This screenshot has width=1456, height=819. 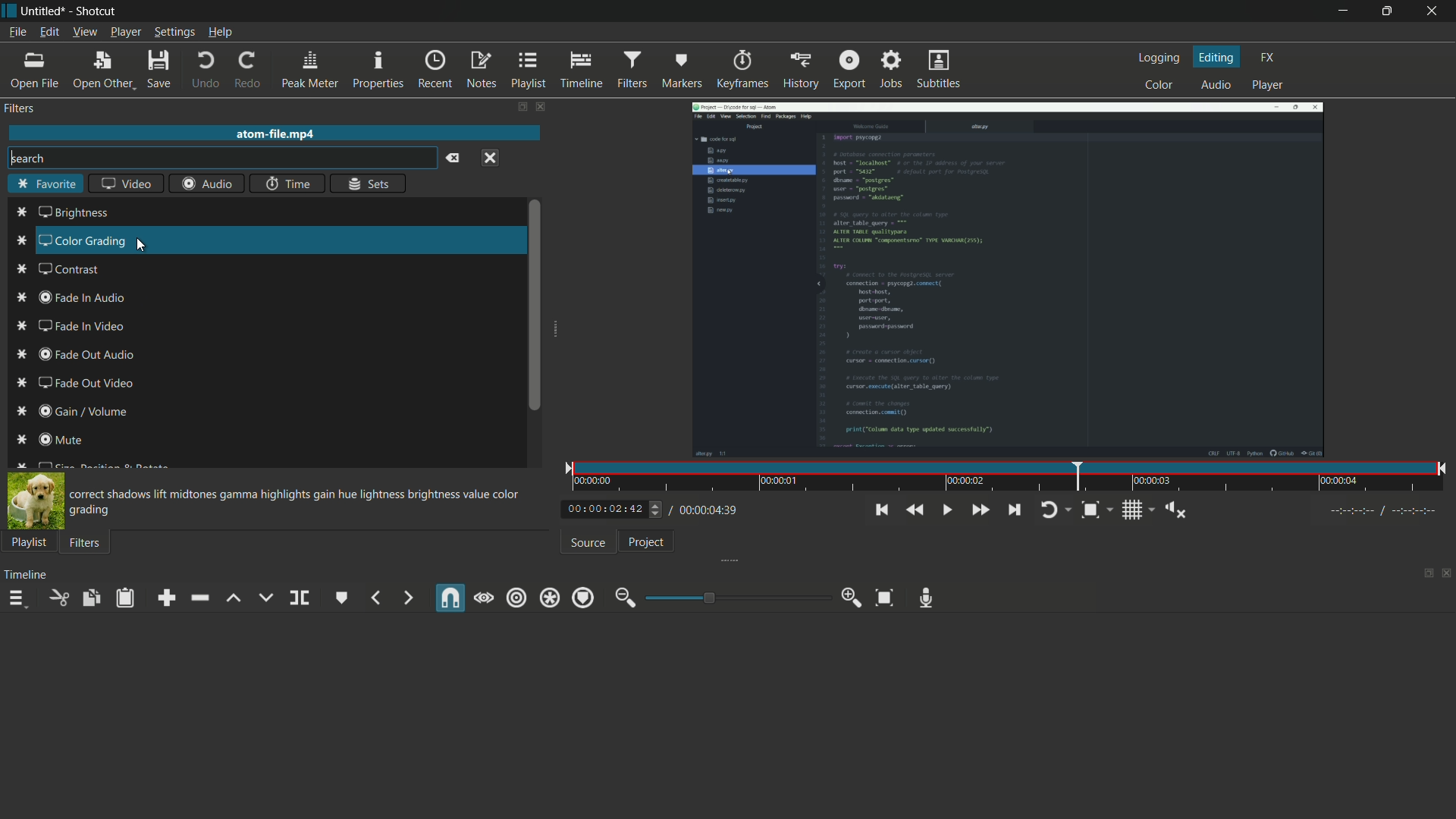 What do you see at coordinates (85, 544) in the screenshot?
I see `filters` at bounding box center [85, 544].